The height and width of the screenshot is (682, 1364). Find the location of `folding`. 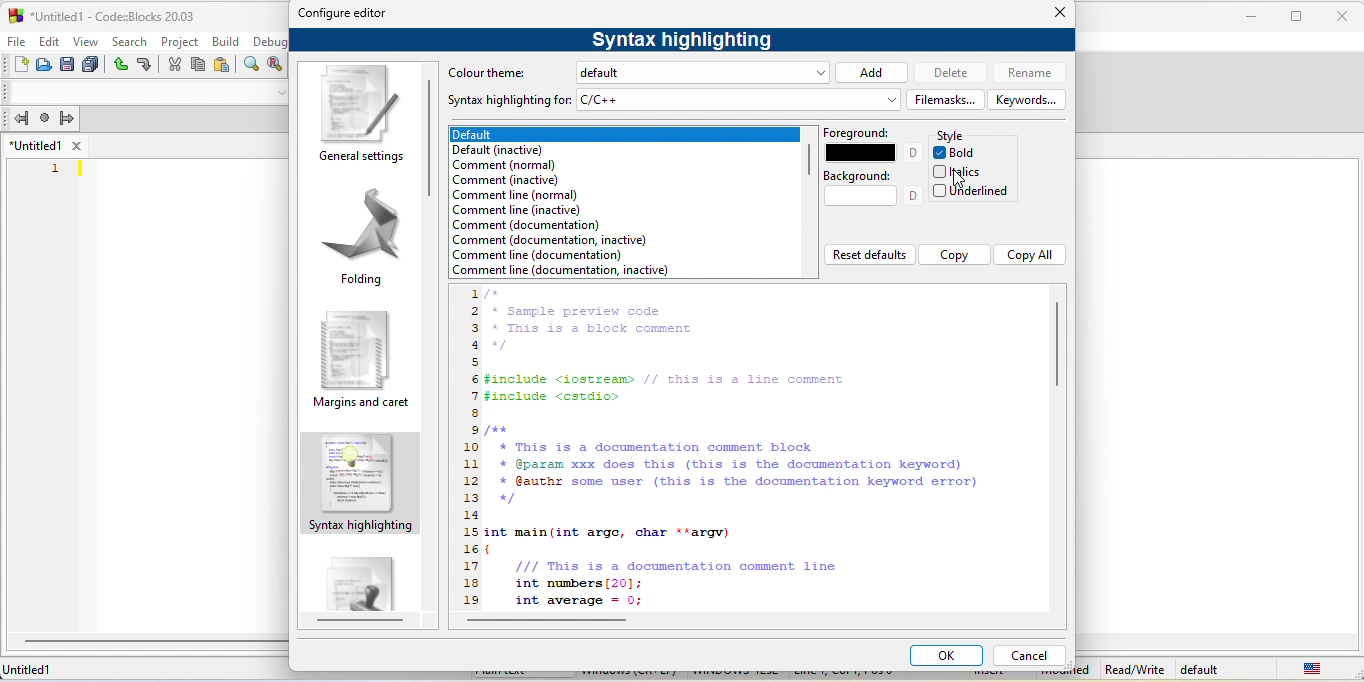

folding is located at coordinates (357, 238).